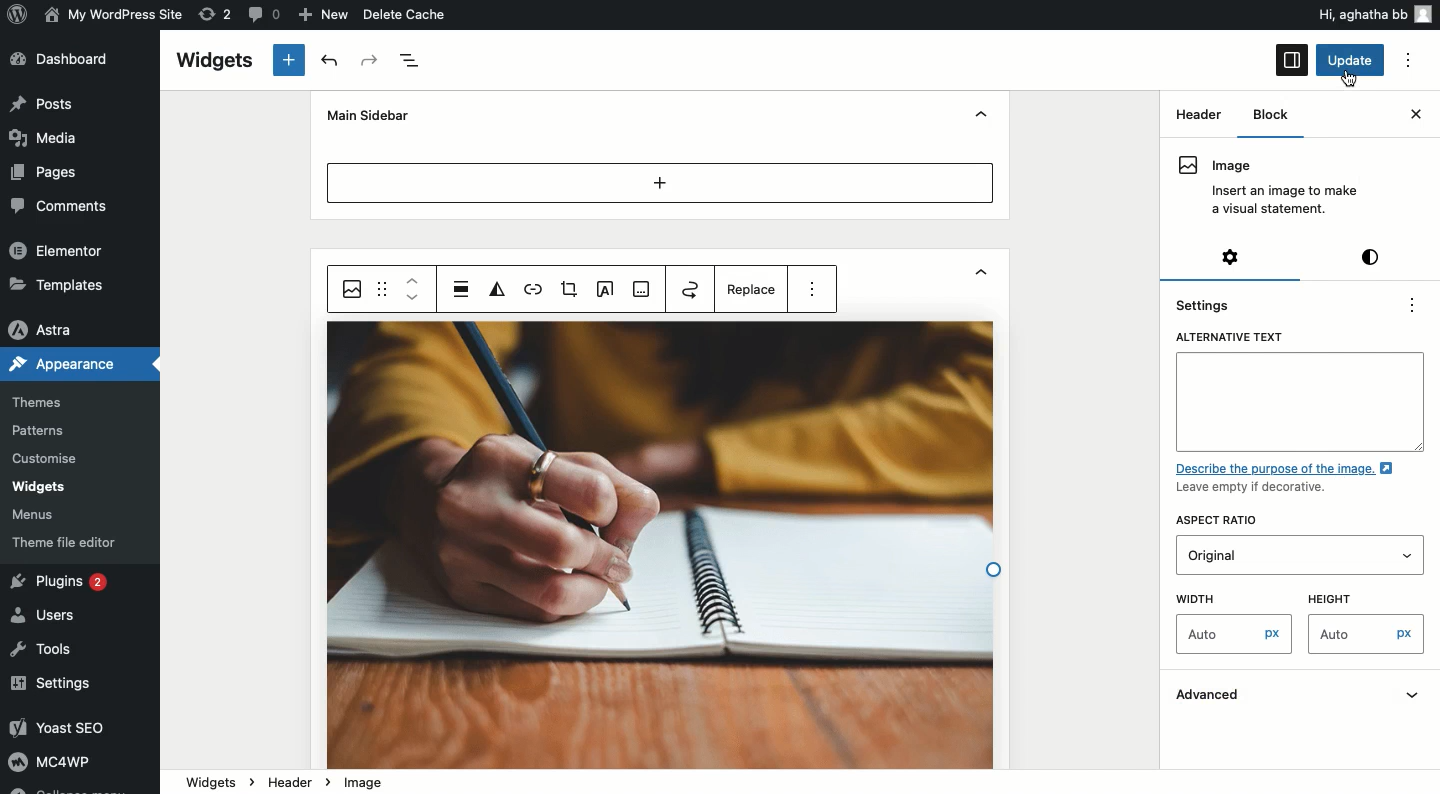 The width and height of the screenshot is (1440, 794). I want to click on Widgets, so click(211, 780).